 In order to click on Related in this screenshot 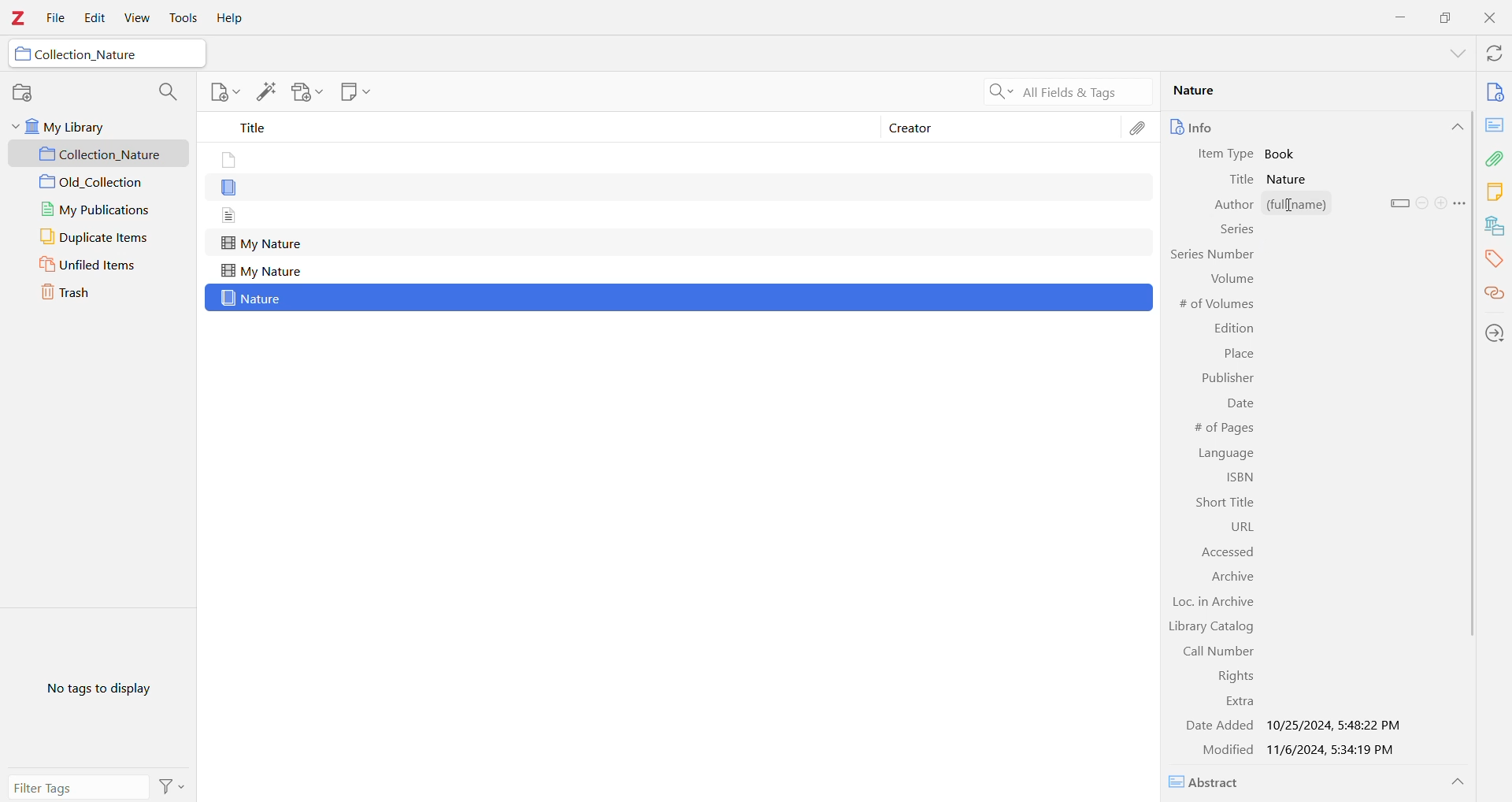, I will do `click(1493, 295)`.